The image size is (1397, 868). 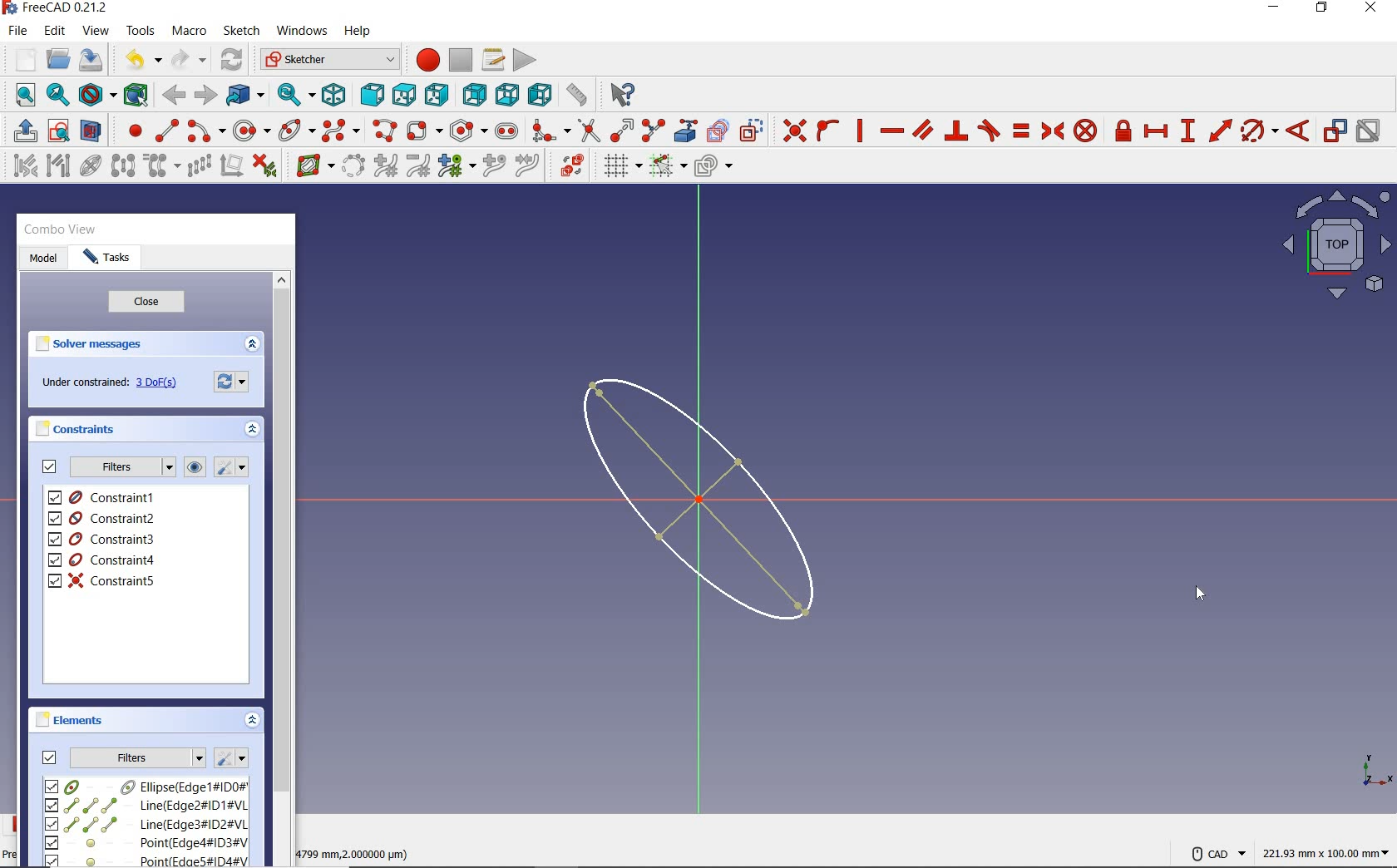 What do you see at coordinates (311, 165) in the screenshot?
I see `show/hide B-spline information layer` at bounding box center [311, 165].